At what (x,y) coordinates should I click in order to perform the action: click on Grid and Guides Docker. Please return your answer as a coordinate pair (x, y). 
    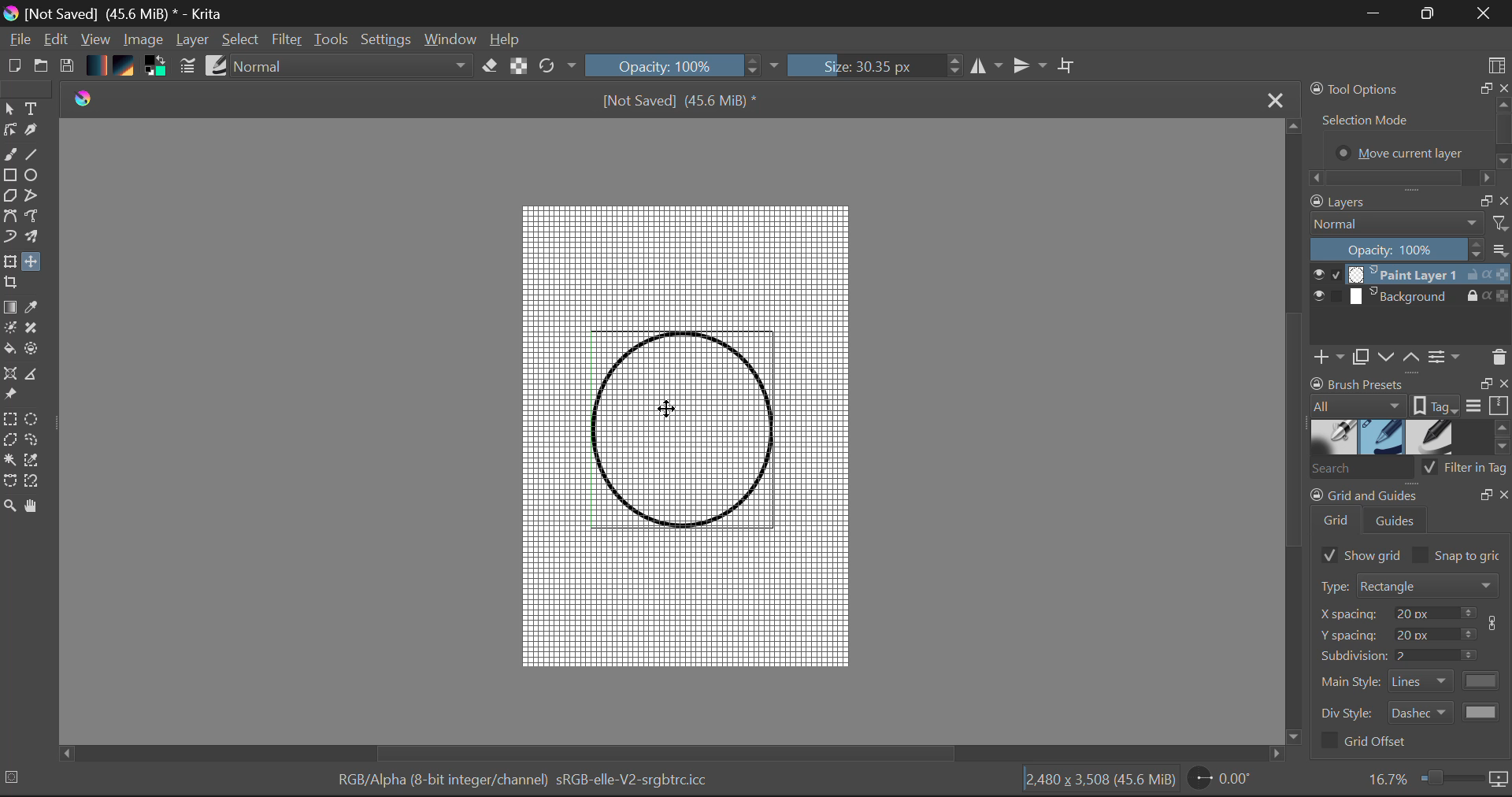
    Looking at the image, I should click on (1409, 511).